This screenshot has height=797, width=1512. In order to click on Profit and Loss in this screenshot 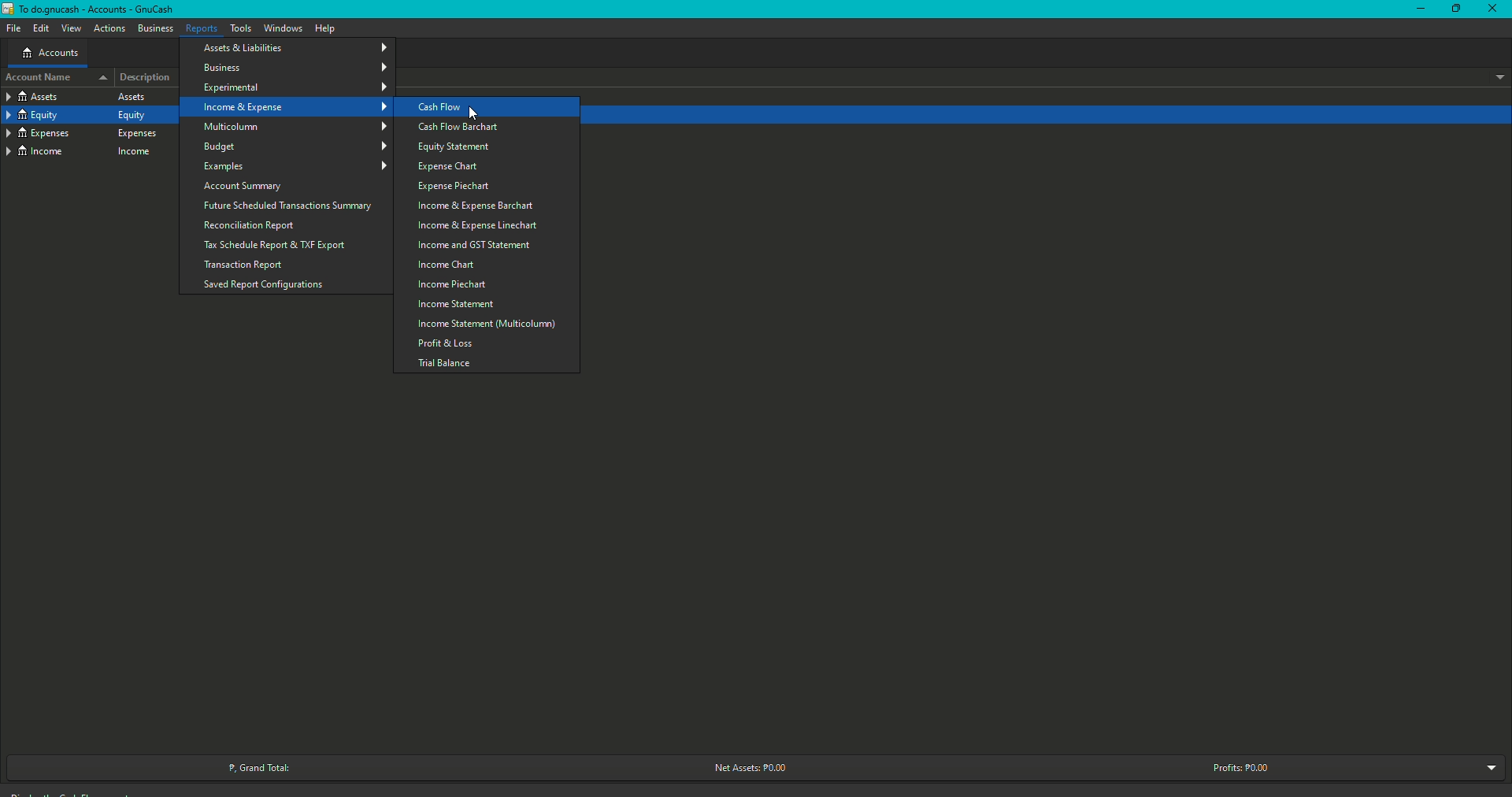, I will do `click(447, 343)`.